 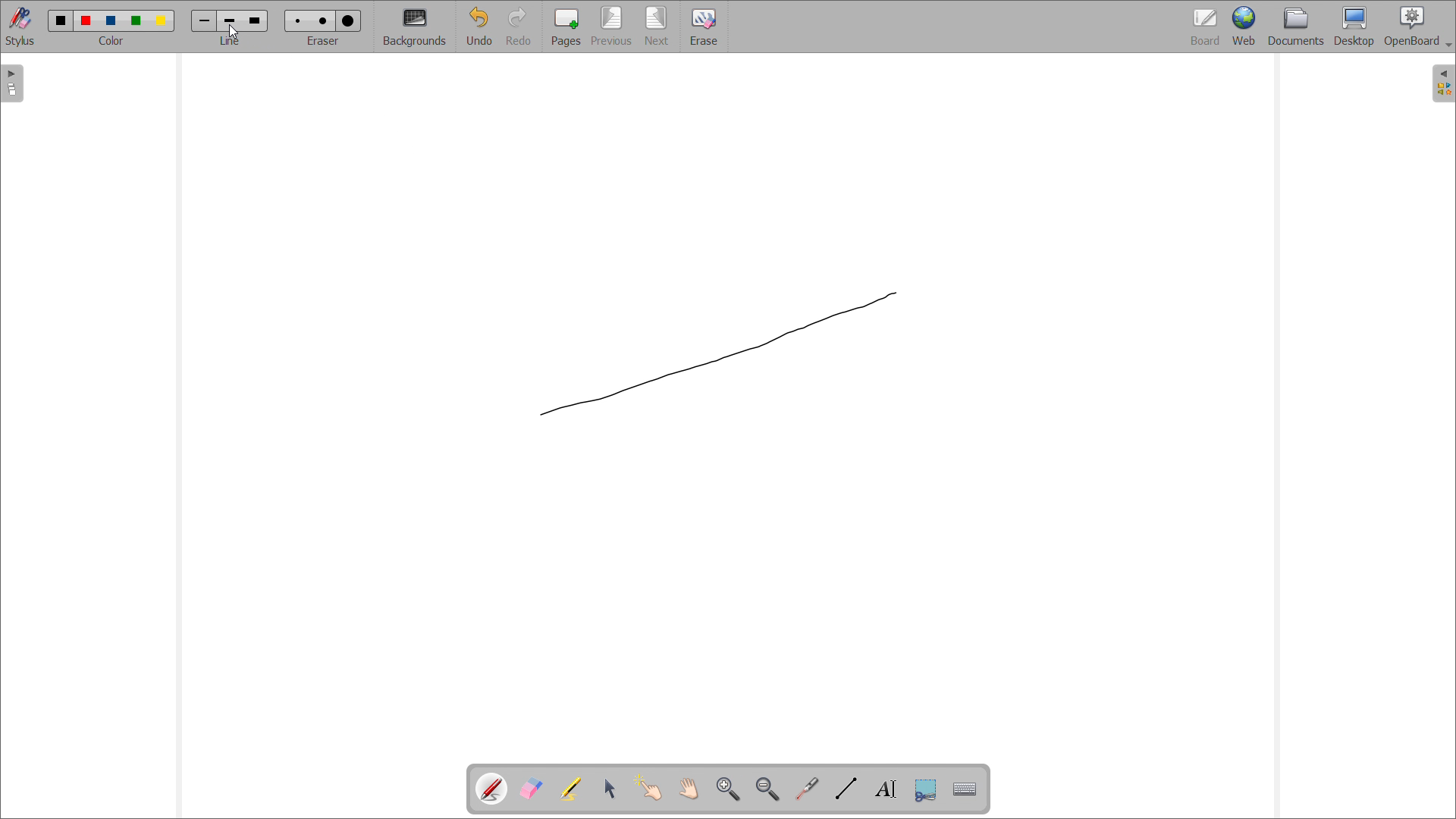 I want to click on draw text, so click(x=887, y=789).